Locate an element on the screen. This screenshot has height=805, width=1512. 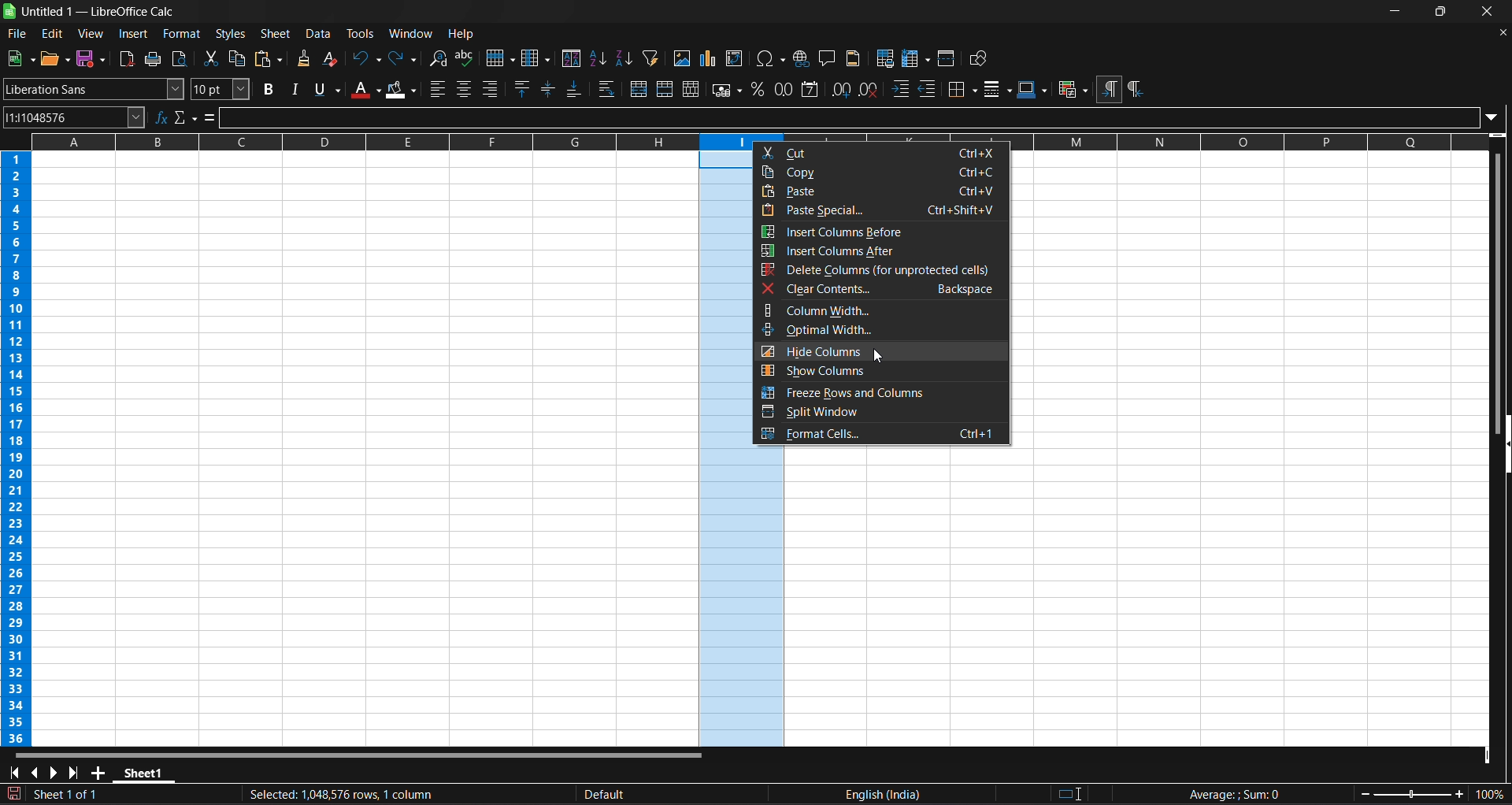
insert hyperlink is located at coordinates (803, 58).